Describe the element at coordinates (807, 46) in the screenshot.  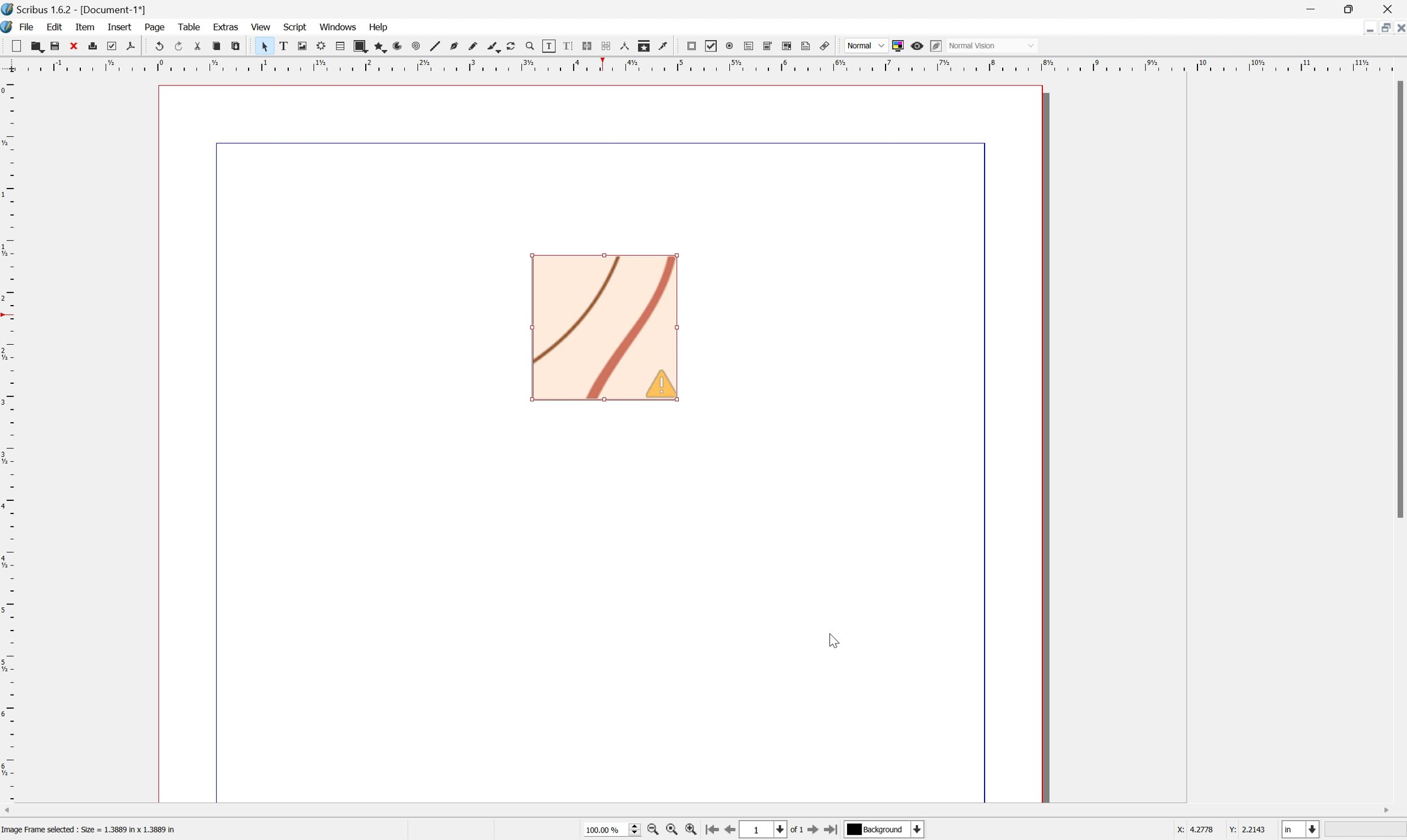
I see `text annotation` at that location.